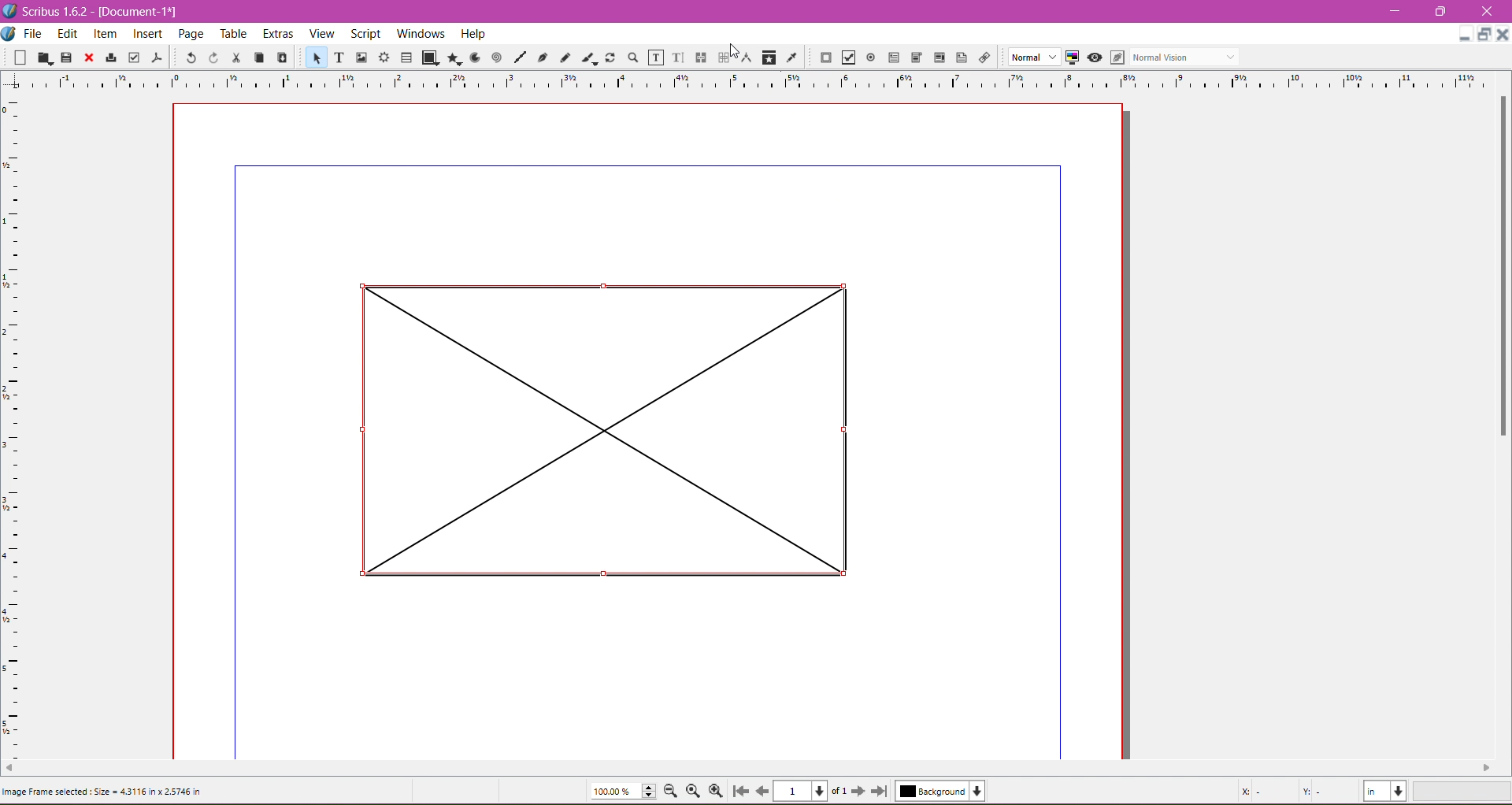 This screenshot has height=805, width=1512. Describe the element at coordinates (791, 57) in the screenshot. I see `Eye Dropper` at that location.